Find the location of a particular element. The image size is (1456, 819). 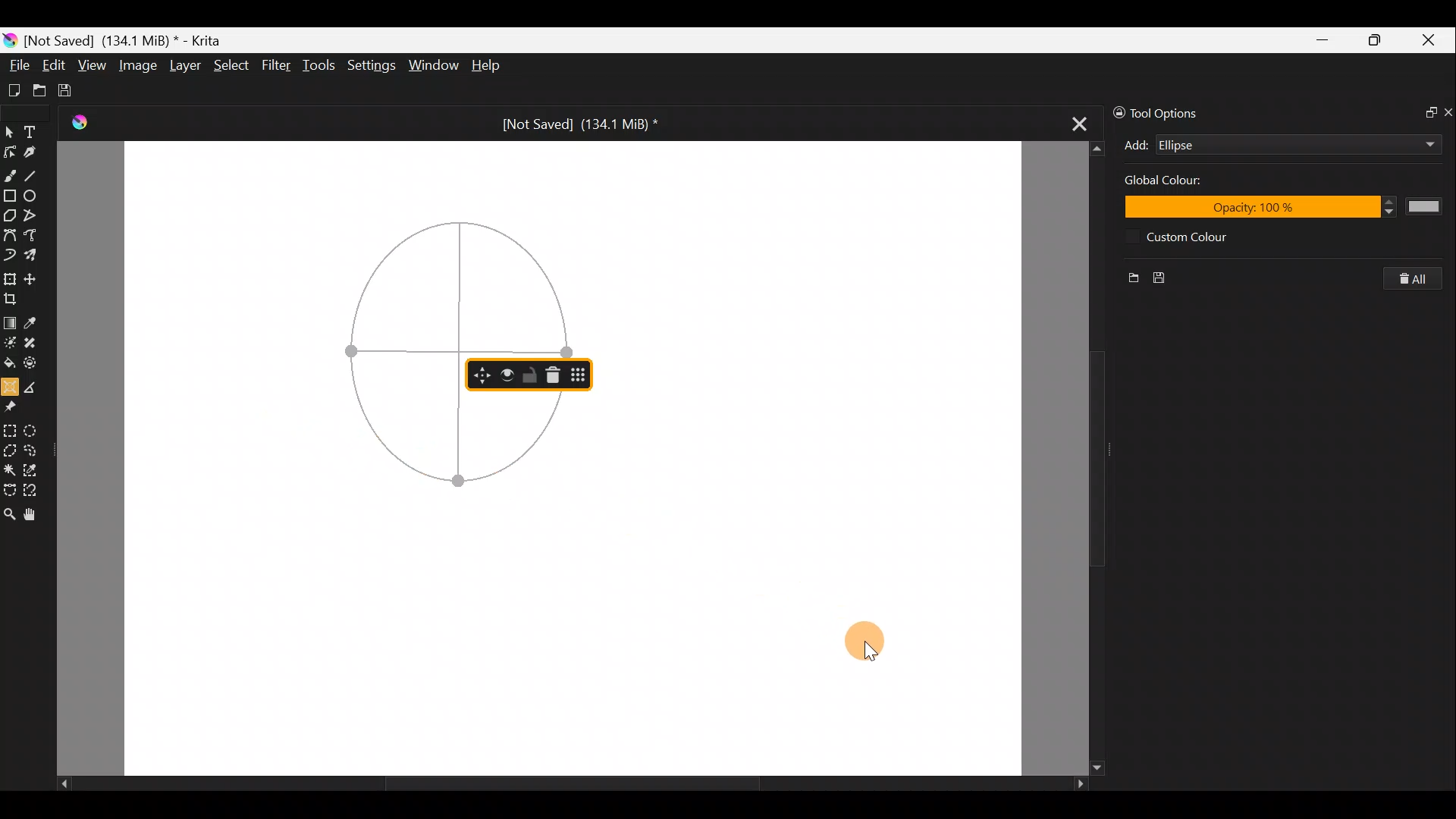

Delete all is located at coordinates (1414, 279).